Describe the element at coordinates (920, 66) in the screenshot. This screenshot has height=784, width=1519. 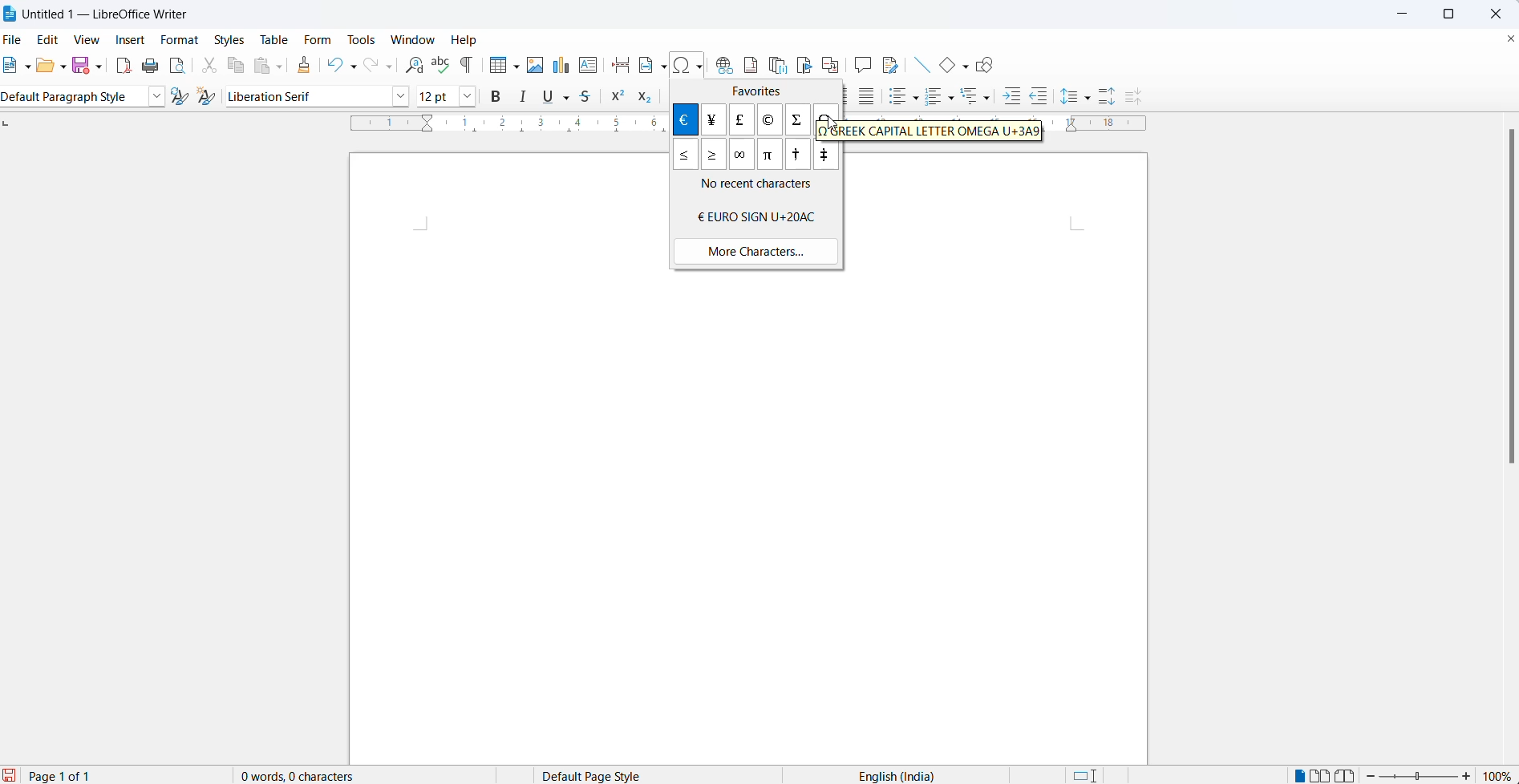
I see `insert line` at that location.